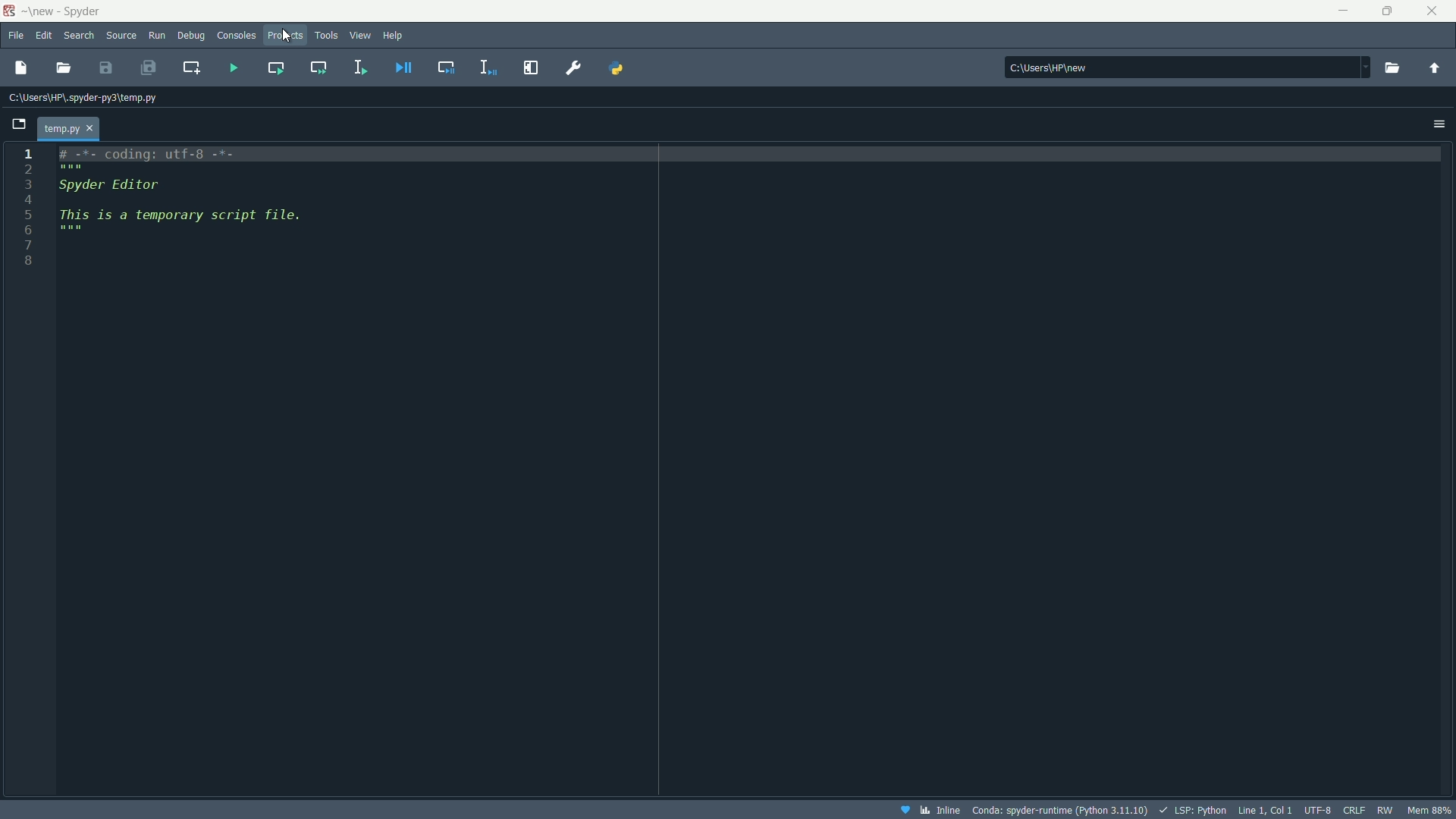 The height and width of the screenshot is (819, 1456). Describe the element at coordinates (67, 129) in the screenshot. I see `temp.py` at that location.